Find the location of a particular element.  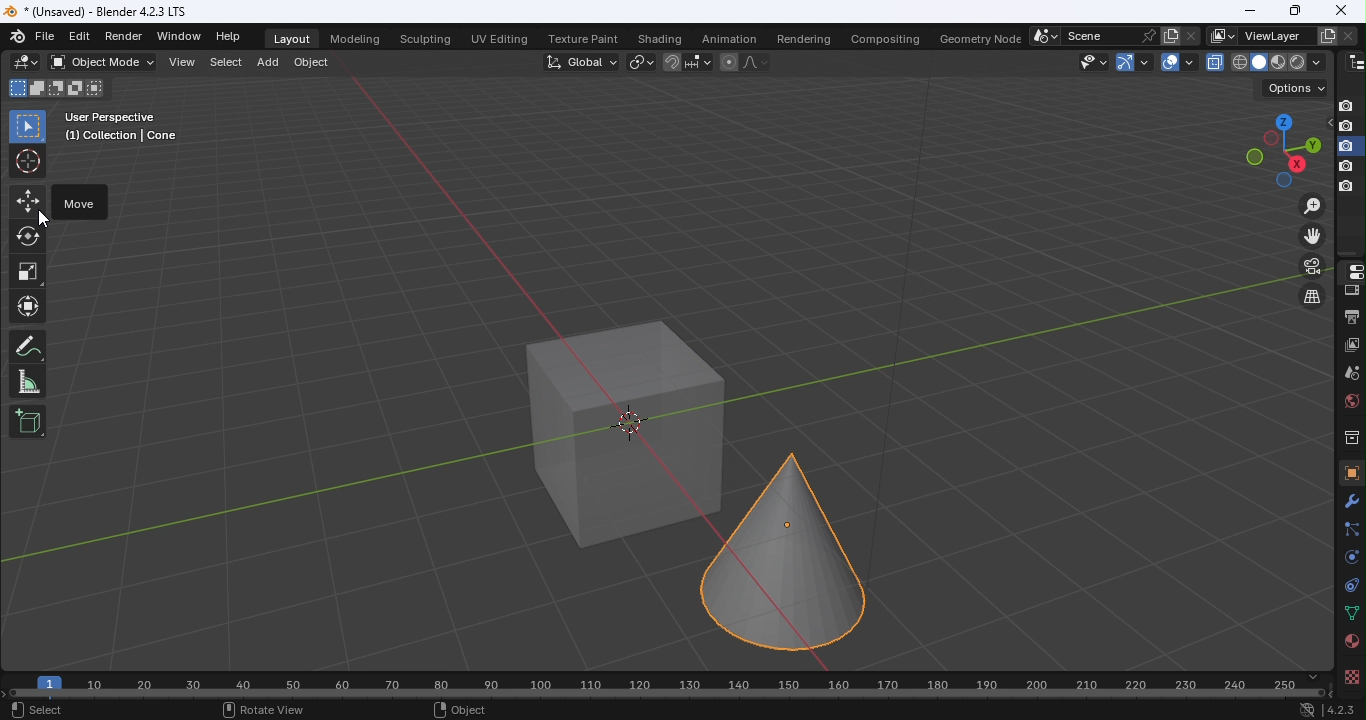

Object is located at coordinates (1349, 472).